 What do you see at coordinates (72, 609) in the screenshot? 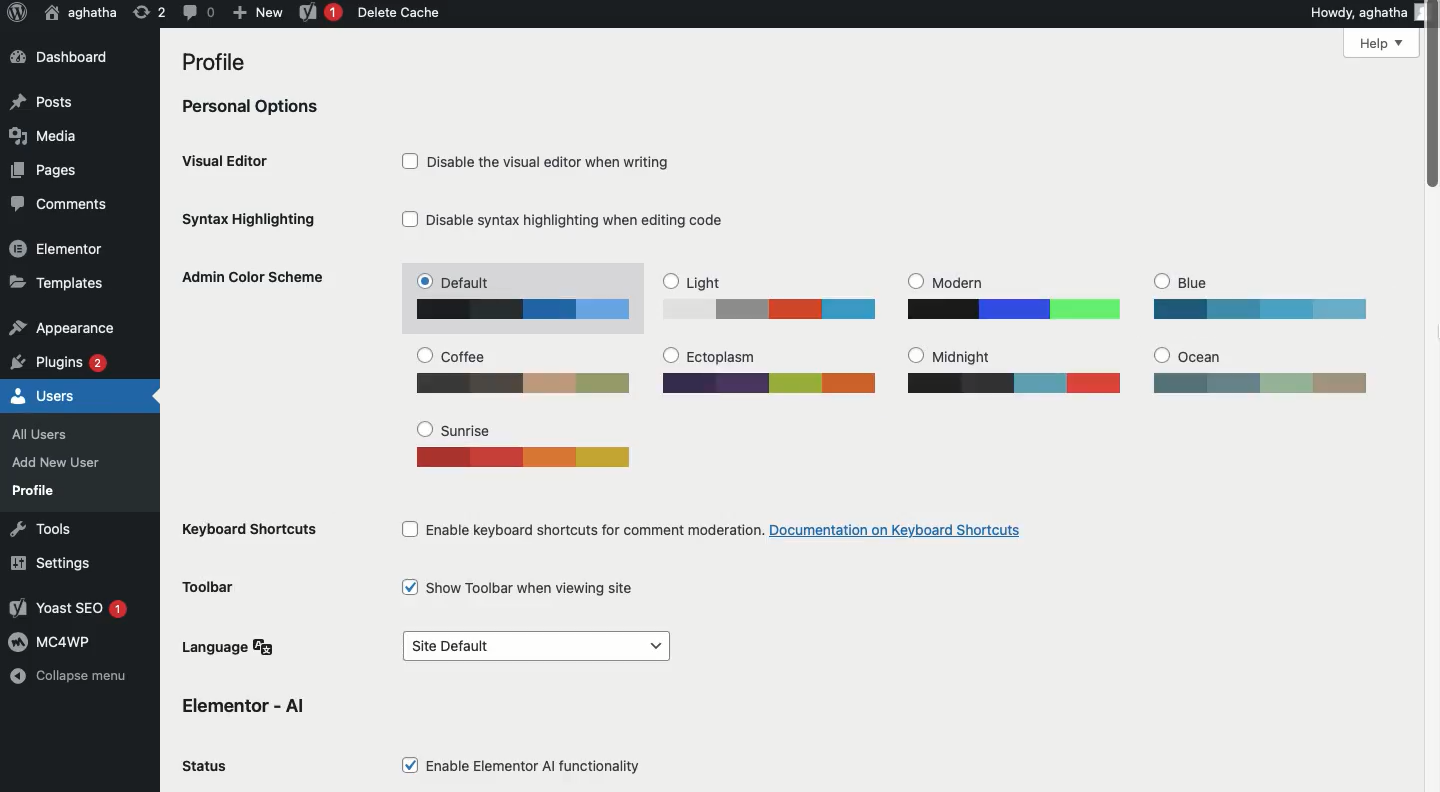
I see `Yoast SEO 1` at bounding box center [72, 609].